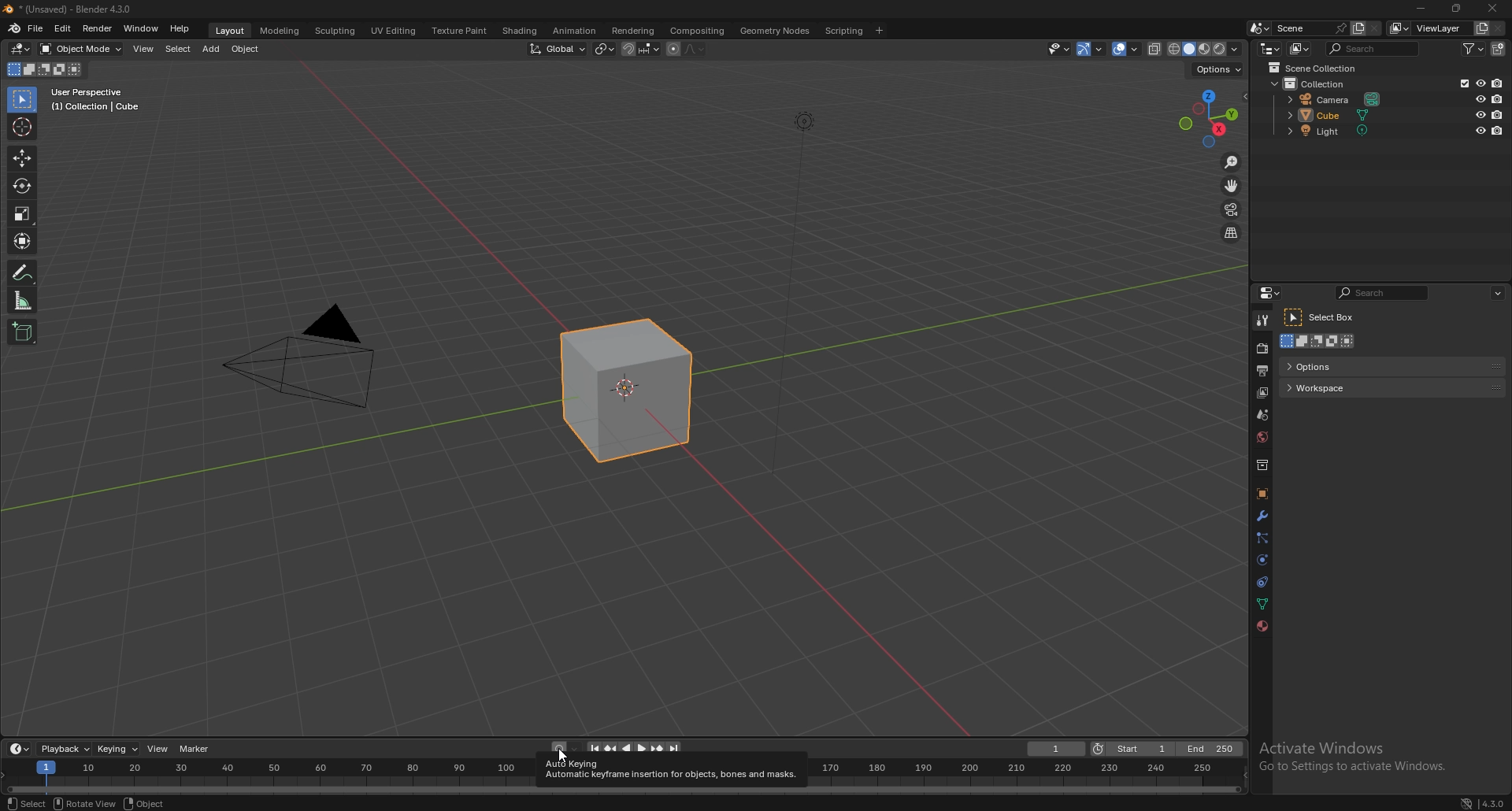 Image resolution: width=1512 pixels, height=811 pixels. What do you see at coordinates (23, 300) in the screenshot?
I see `measure` at bounding box center [23, 300].